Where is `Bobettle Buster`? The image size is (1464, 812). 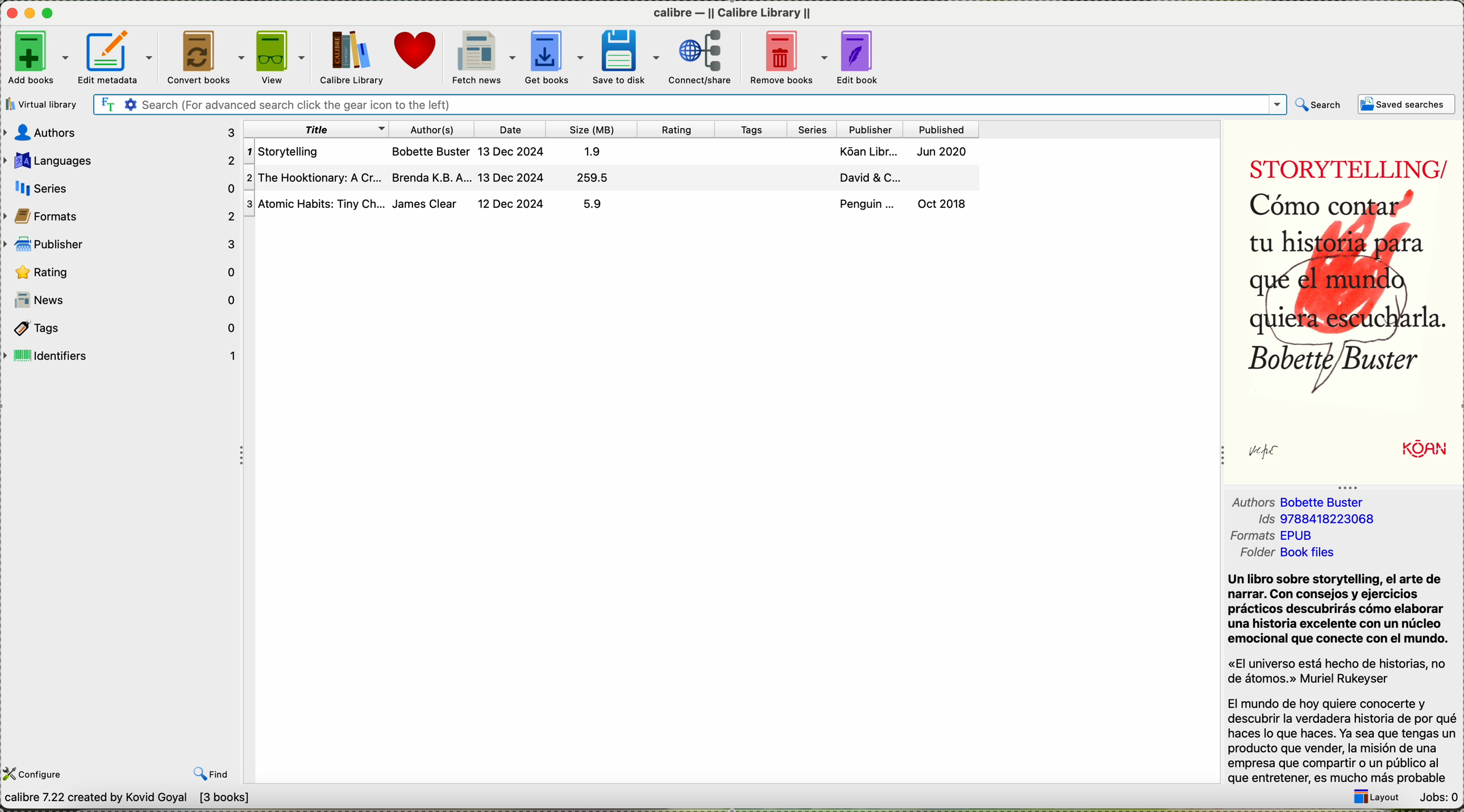 Bobettle Buster is located at coordinates (1328, 503).